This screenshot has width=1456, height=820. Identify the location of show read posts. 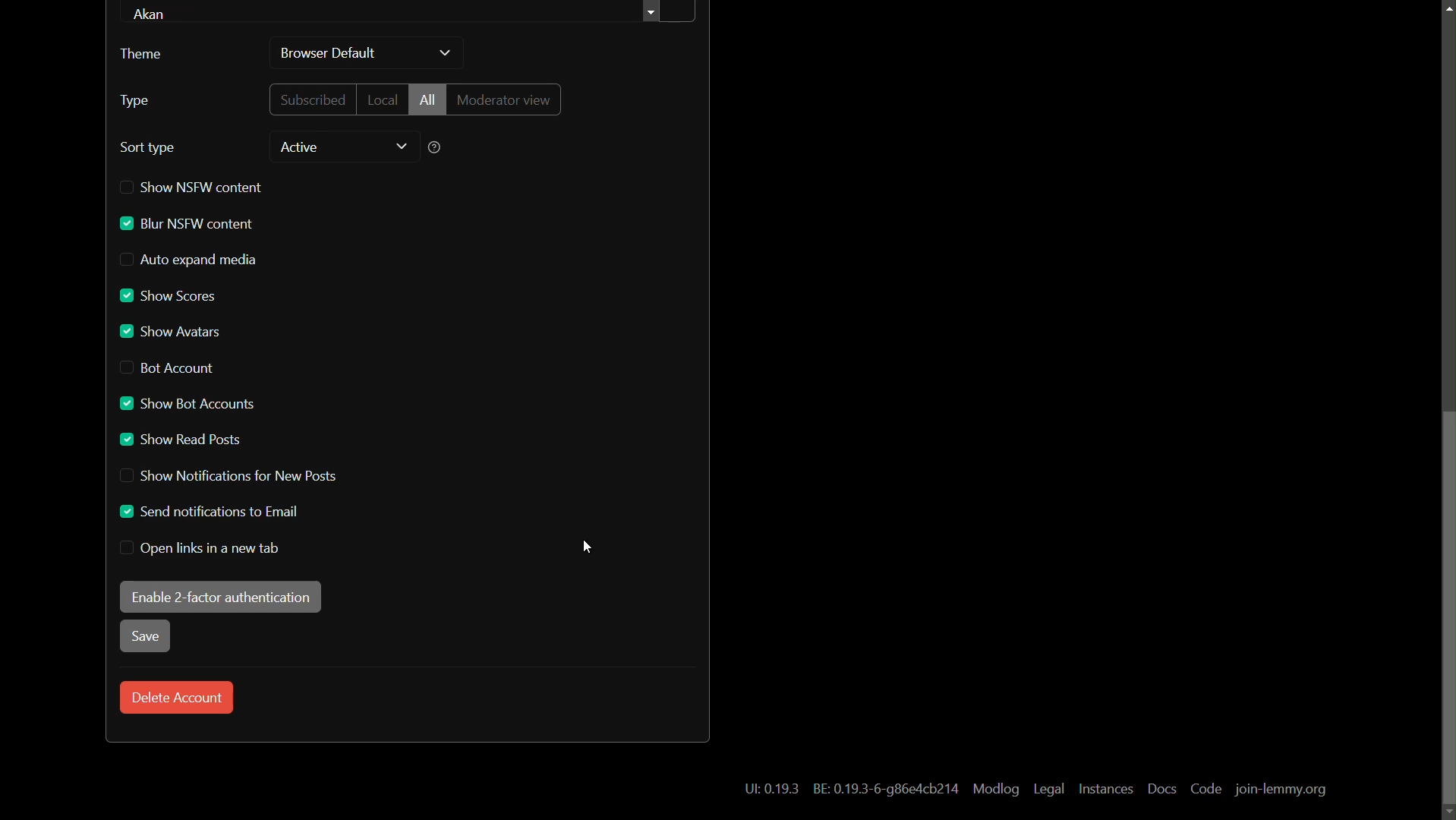
(180, 441).